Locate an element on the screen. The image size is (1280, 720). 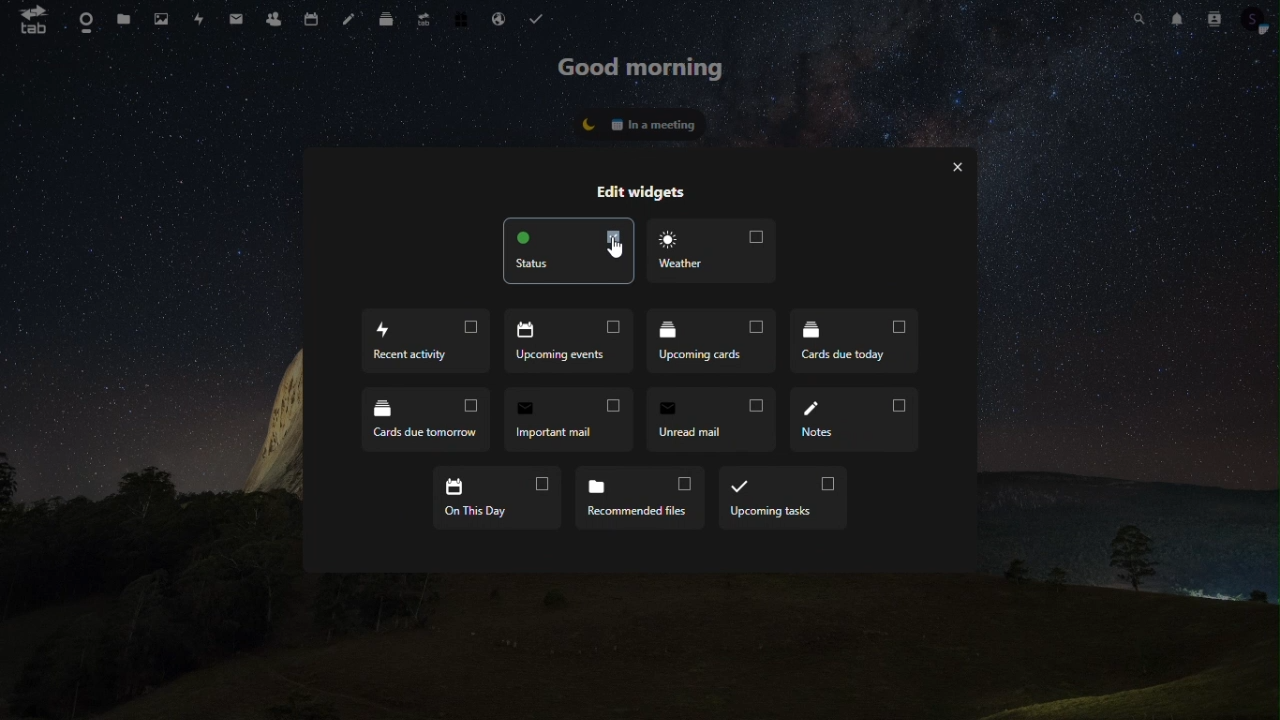
tasks is located at coordinates (540, 19).